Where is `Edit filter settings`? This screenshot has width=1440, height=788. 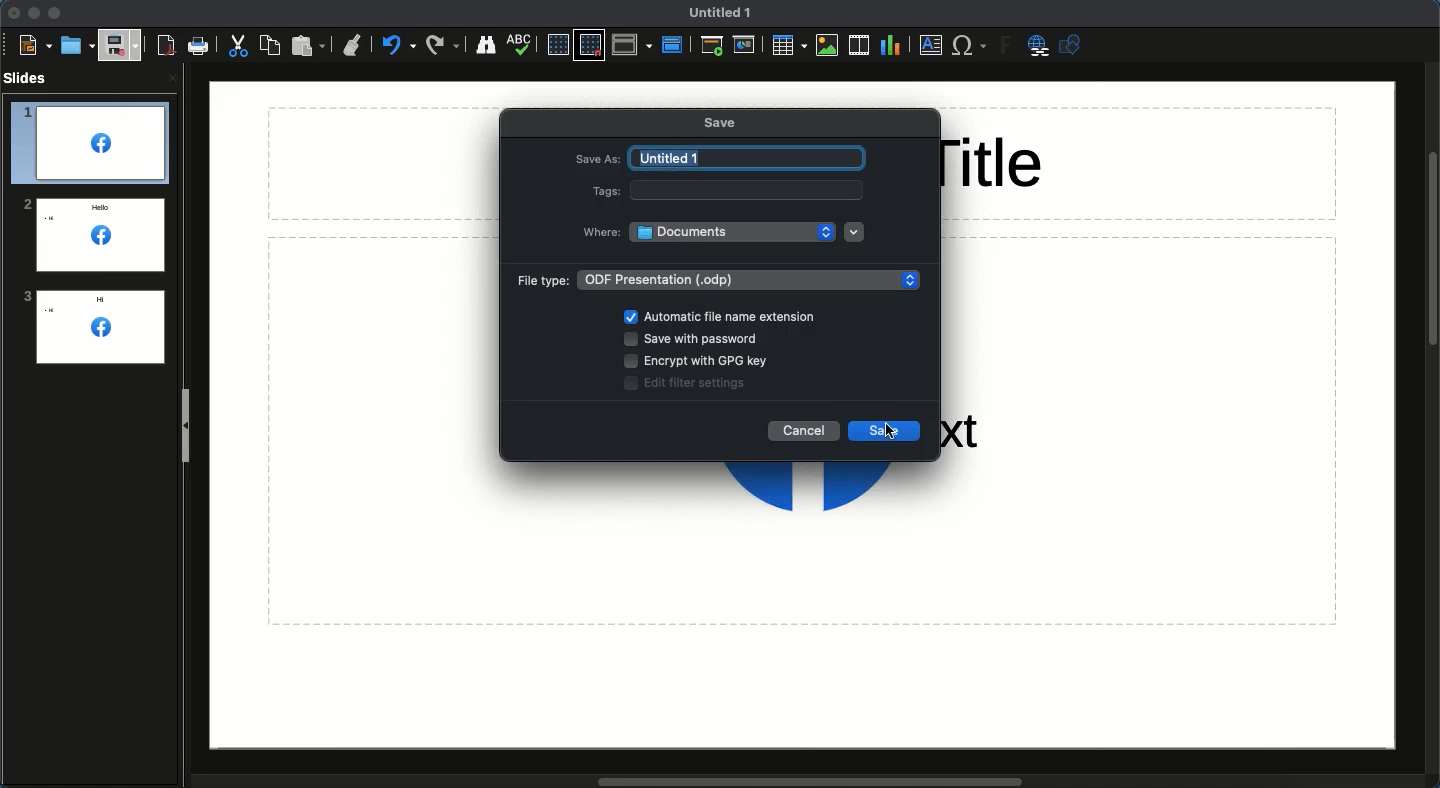
Edit filter settings is located at coordinates (688, 383).